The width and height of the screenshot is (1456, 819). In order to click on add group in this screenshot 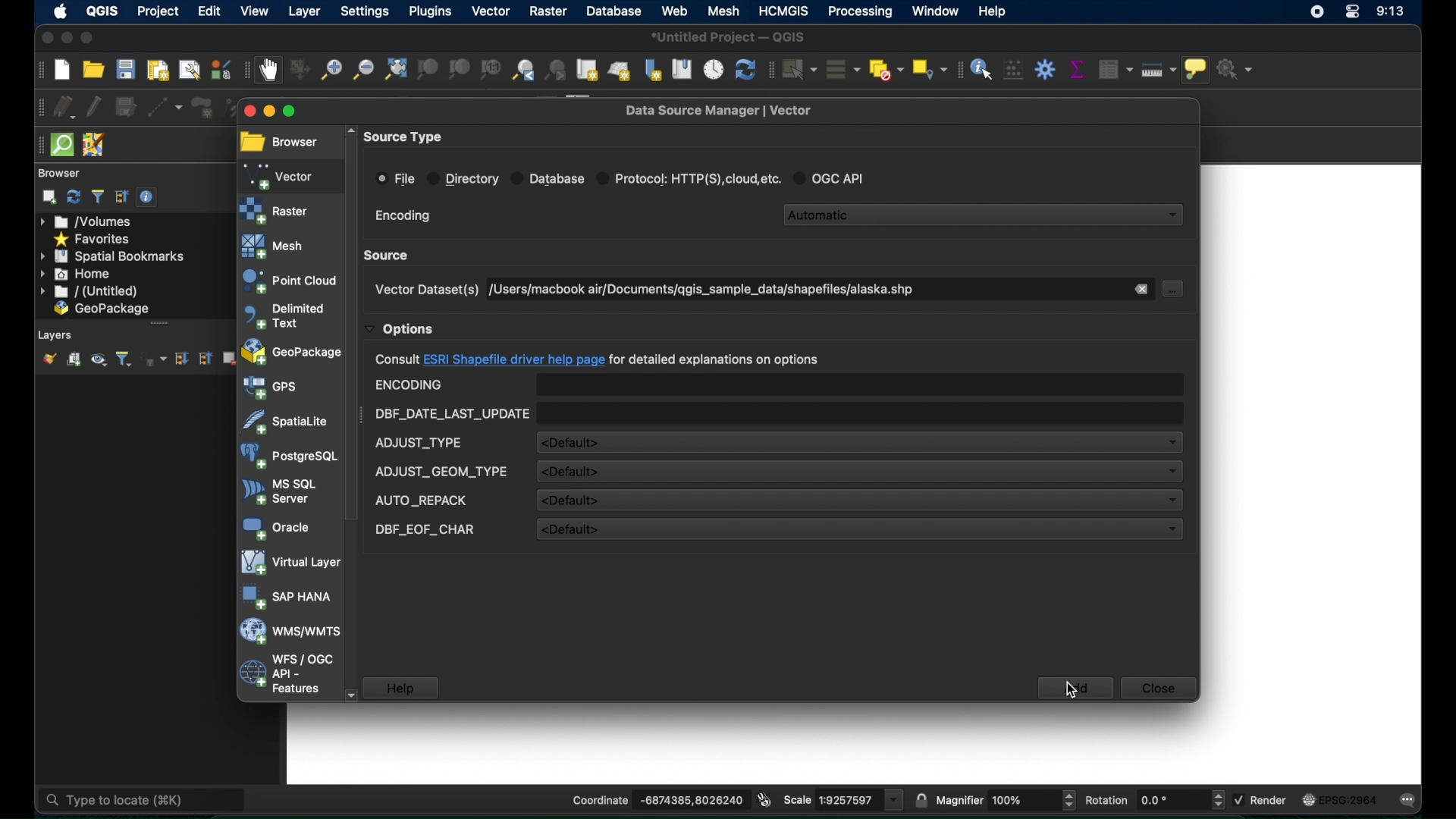, I will do `click(74, 360)`.